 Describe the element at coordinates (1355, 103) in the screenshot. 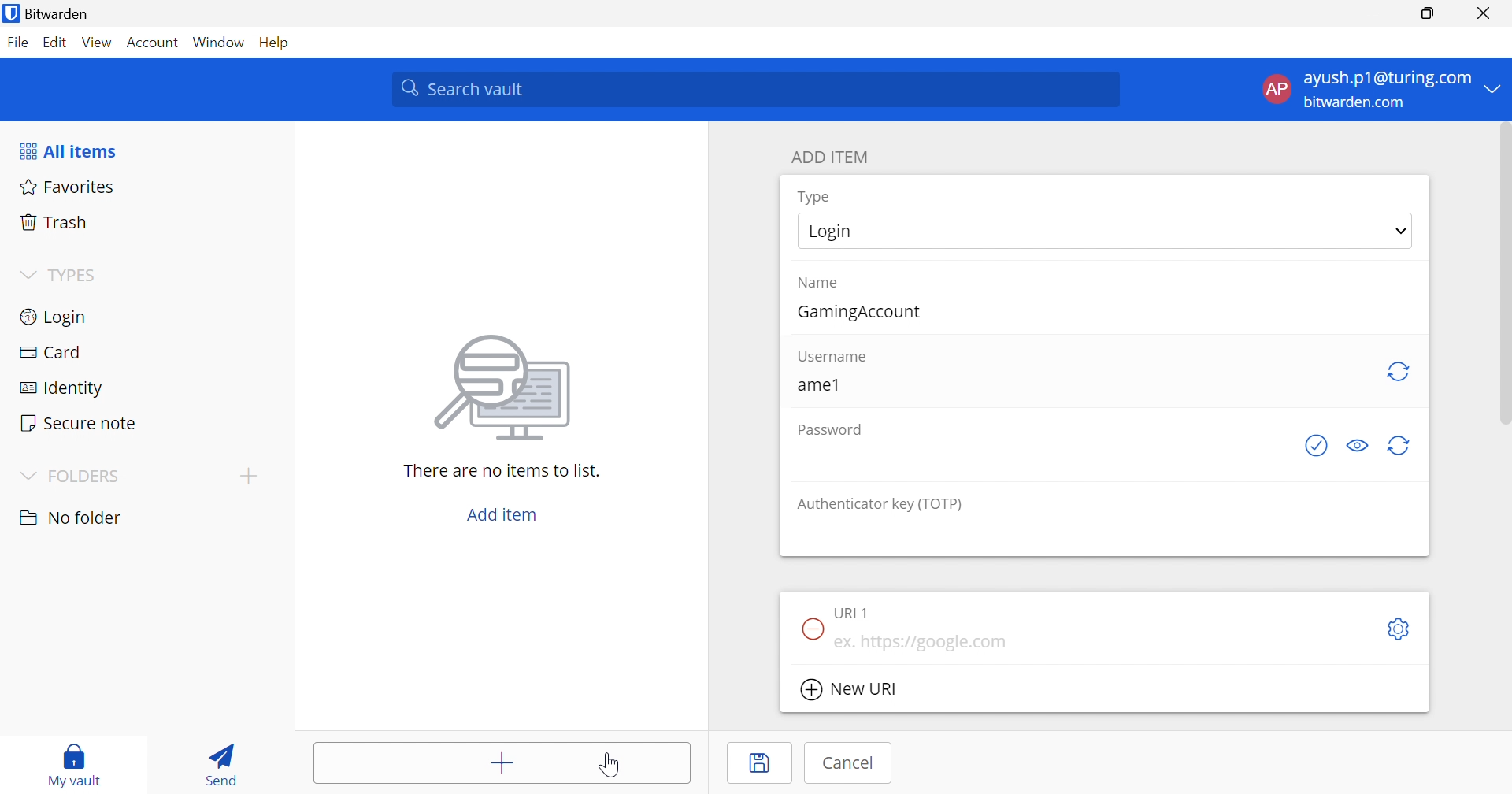

I see `bitwarden.com` at that location.